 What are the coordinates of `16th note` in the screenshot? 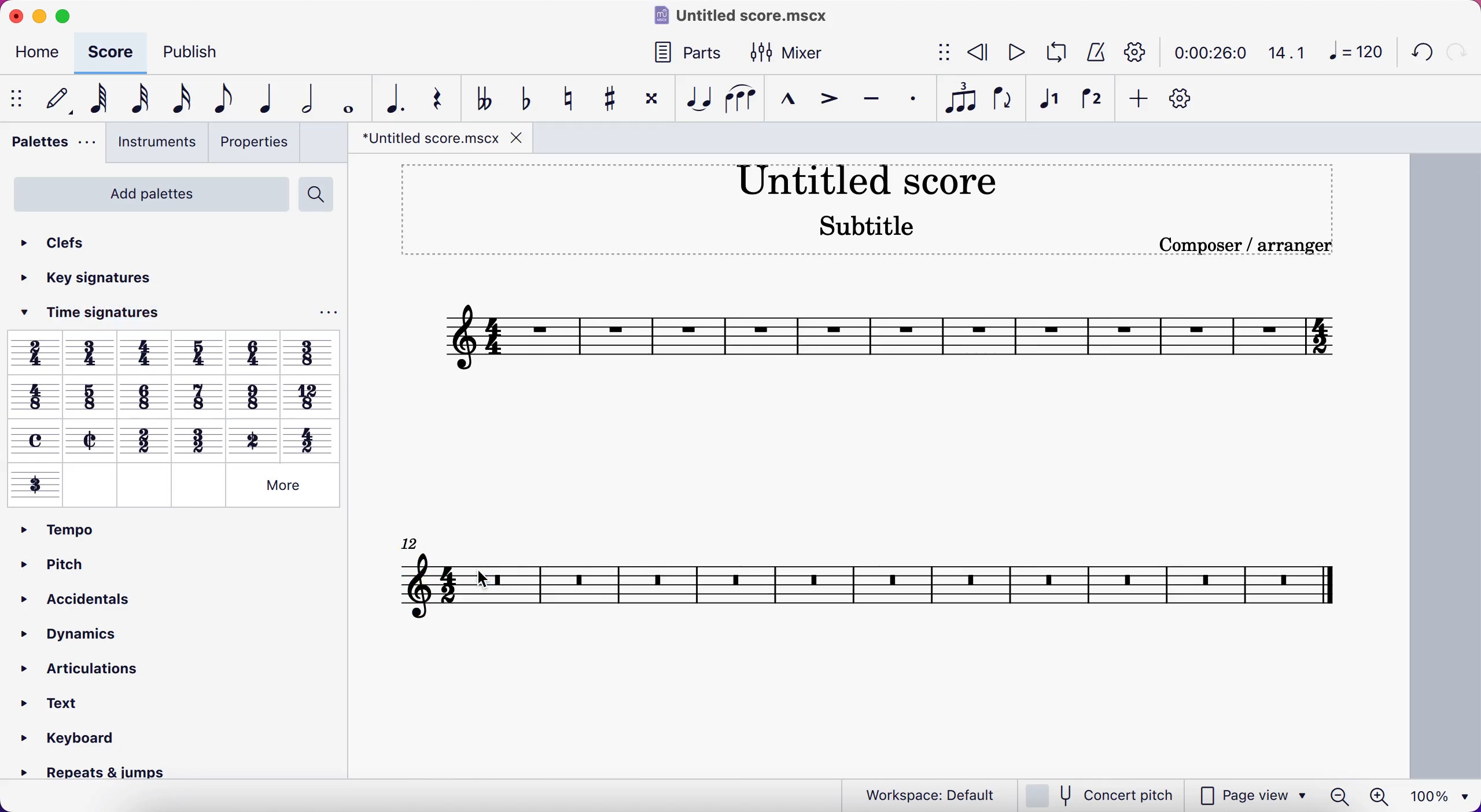 It's located at (178, 98).